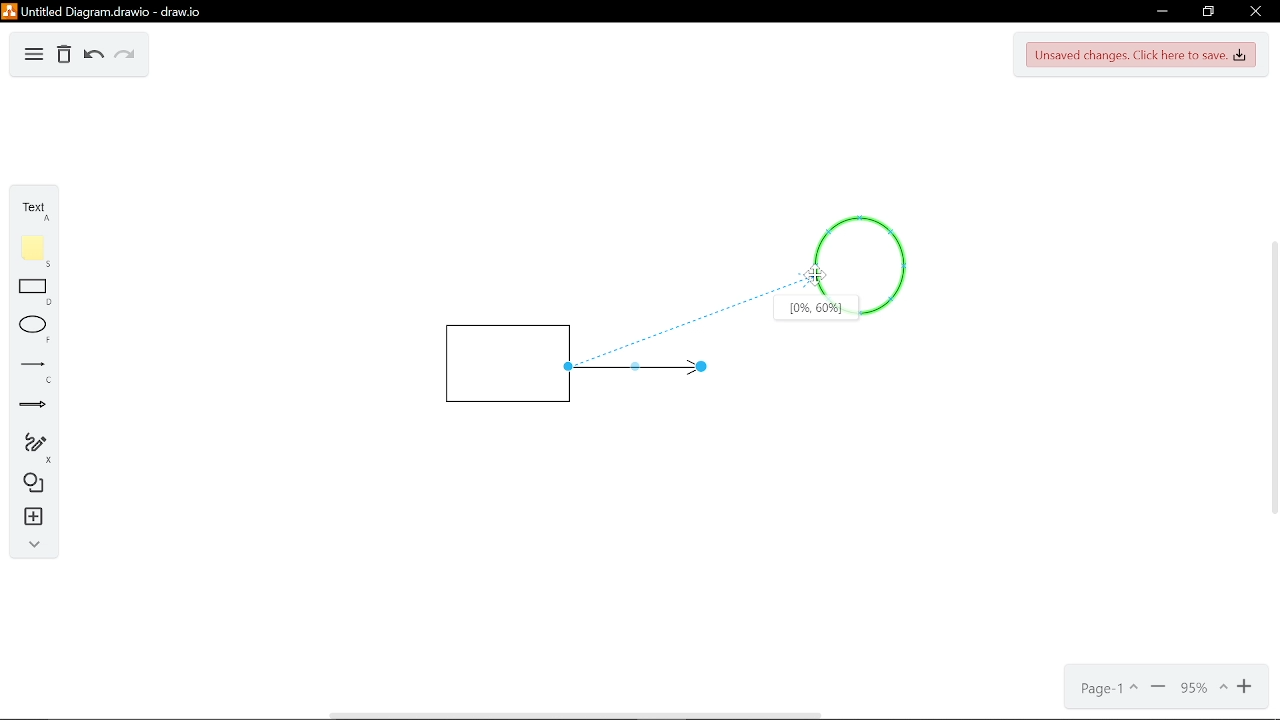 The width and height of the screenshot is (1280, 720). What do you see at coordinates (30, 544) in the screenshot?
I see `Collapse` at bounding box center [30, 544].